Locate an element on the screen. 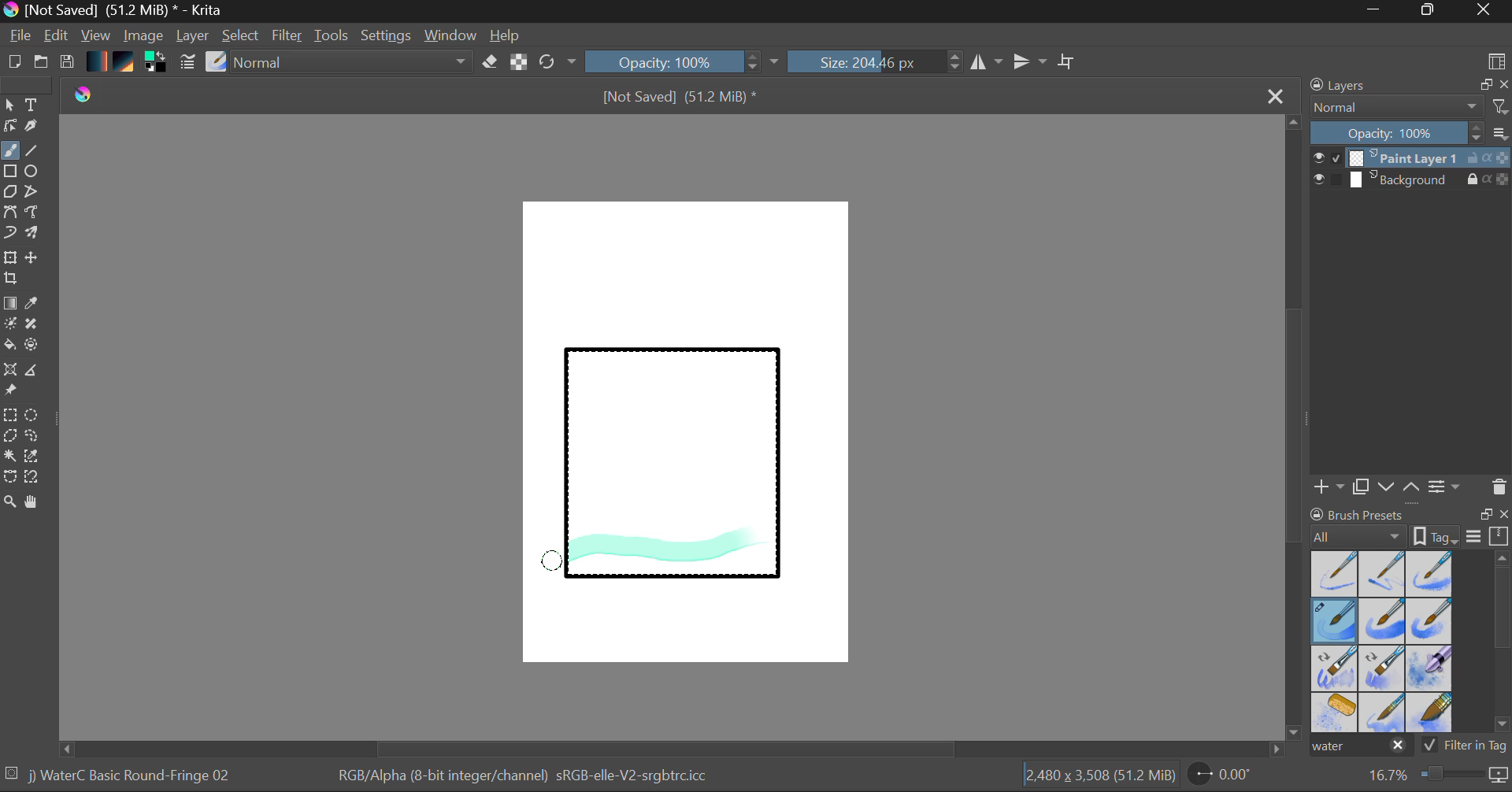  Tools is located at coordinates (332, 36).